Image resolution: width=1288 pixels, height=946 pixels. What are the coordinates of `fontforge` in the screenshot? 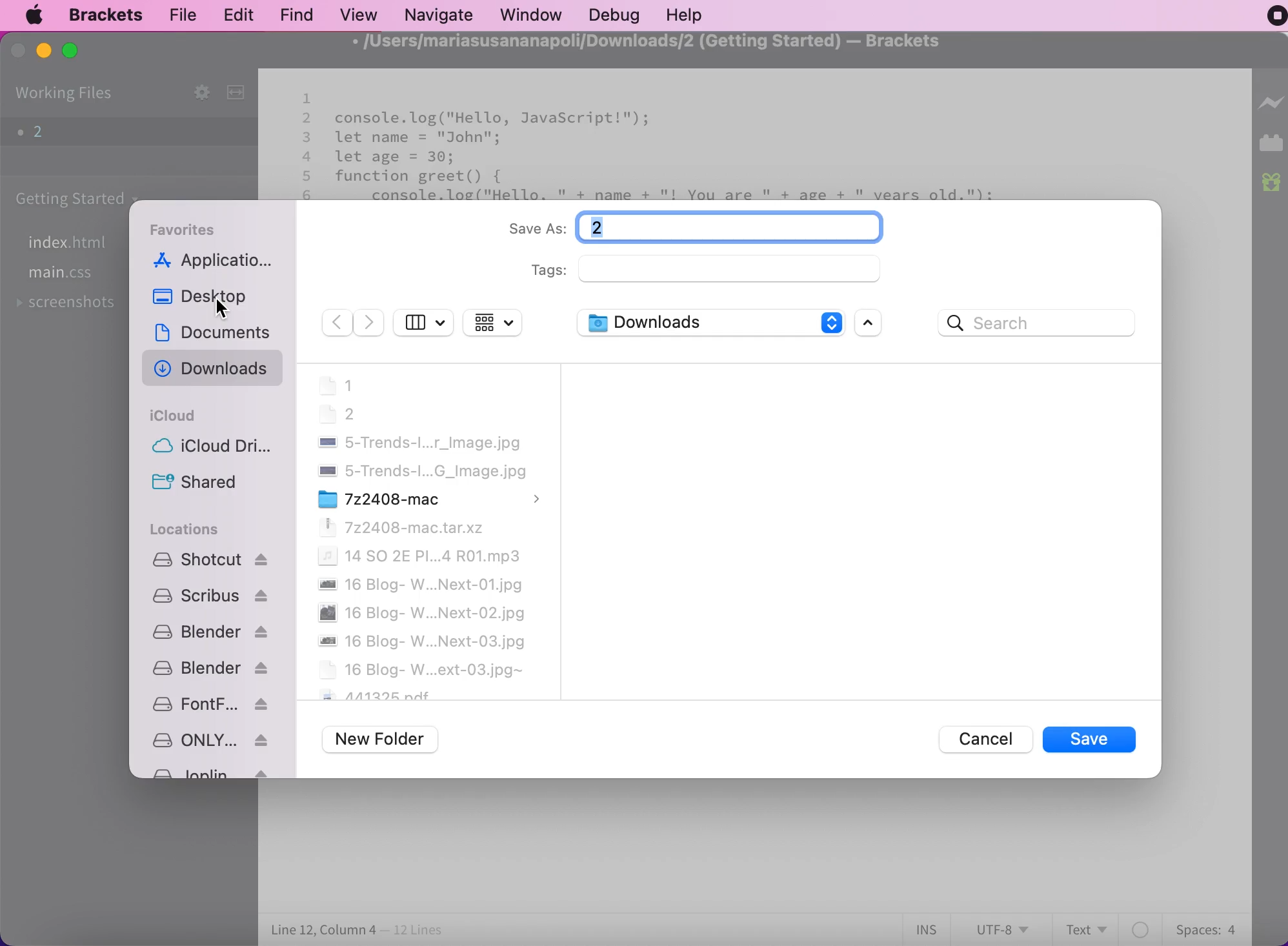 It's located at (210, 704).